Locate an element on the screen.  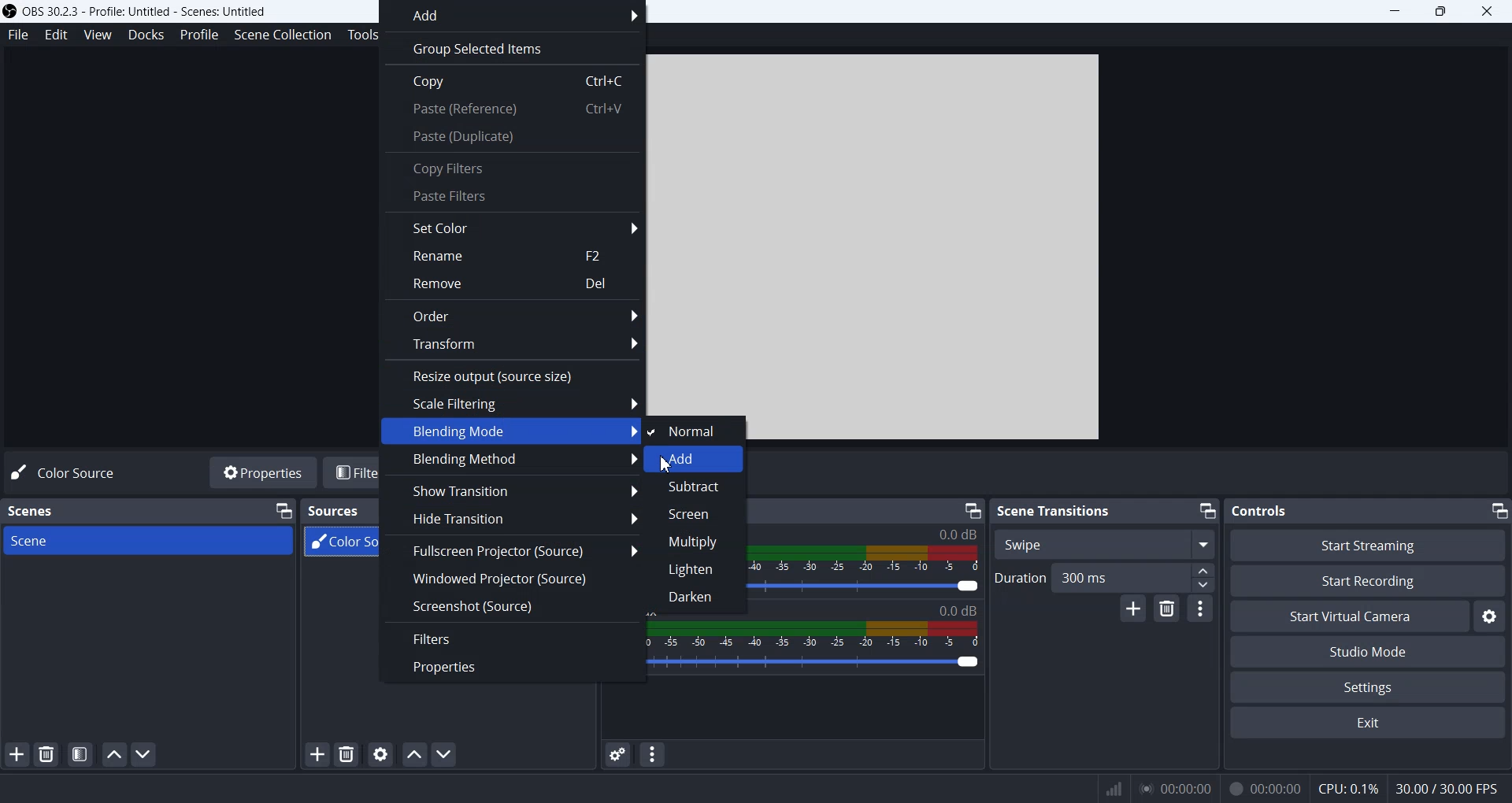
Studio Mode is located at coordinates (1369, 650).